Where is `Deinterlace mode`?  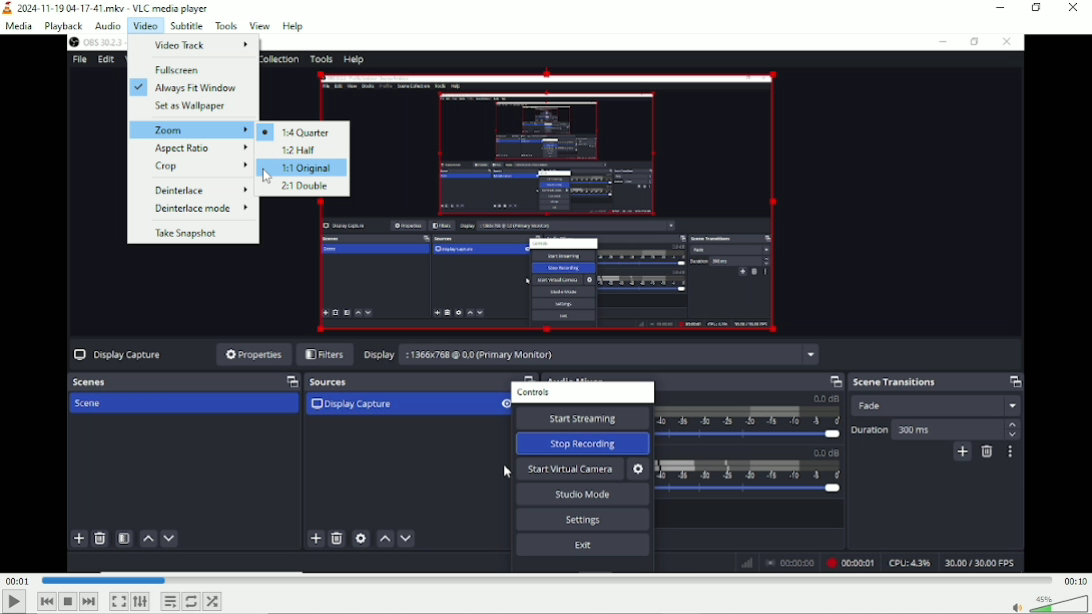
Deinterlace mode is located at coordinates (200, 208).